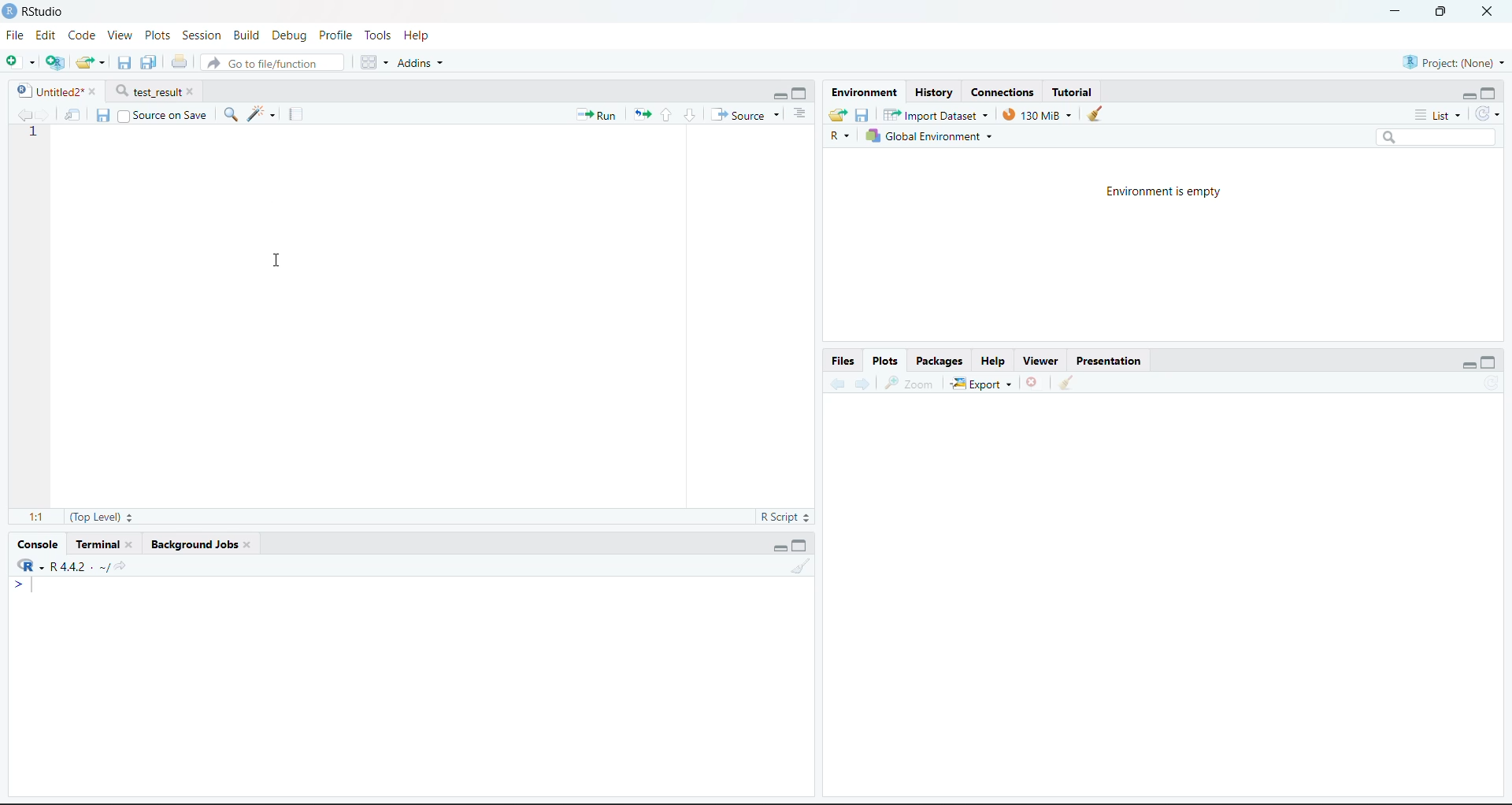 This screenshot has height=805, width=1512. What do you see at coordinates (1440, 139) in the screenshot?
I see `Search bar` at bounding box center [1440, 139].